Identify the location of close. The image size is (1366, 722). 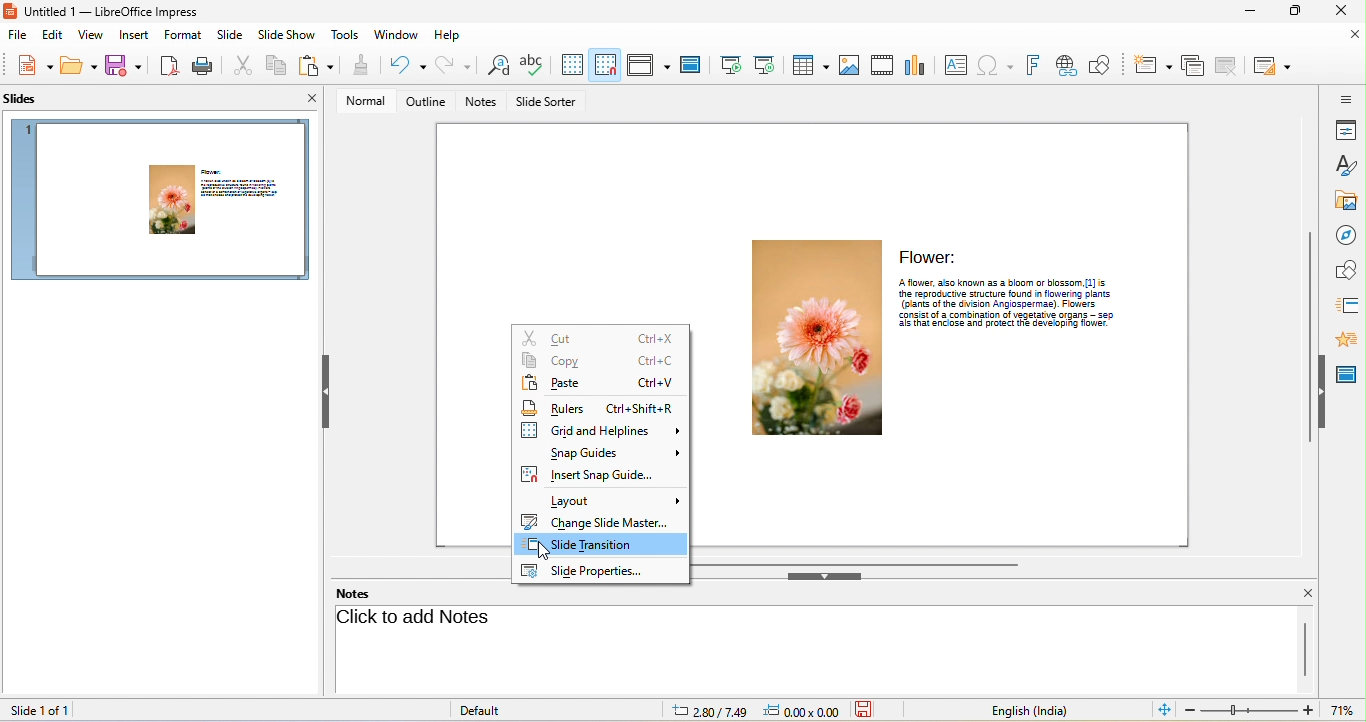
(1340, 11).